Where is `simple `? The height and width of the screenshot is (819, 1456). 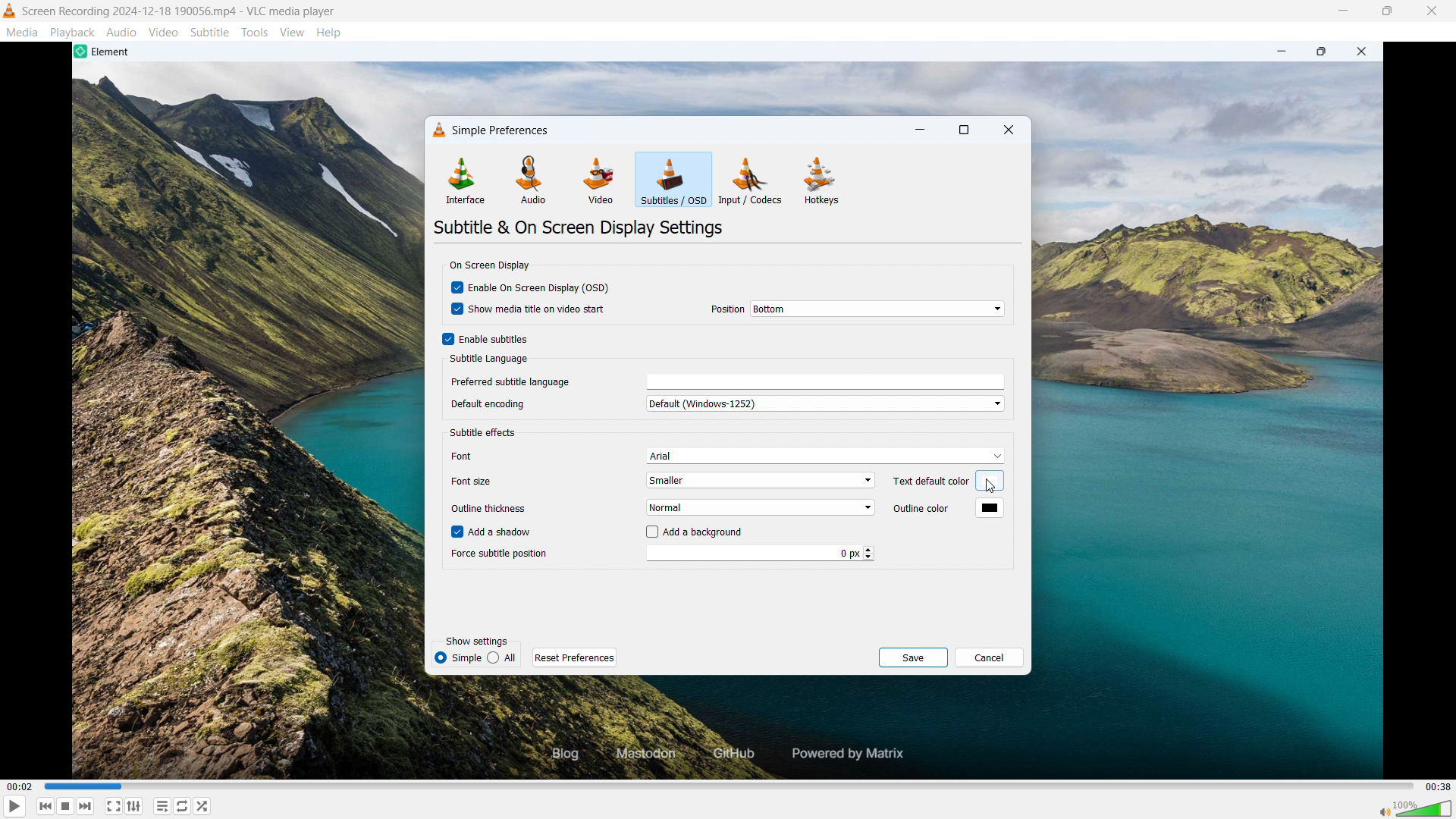 simple  is located at coordinates (457, 658).